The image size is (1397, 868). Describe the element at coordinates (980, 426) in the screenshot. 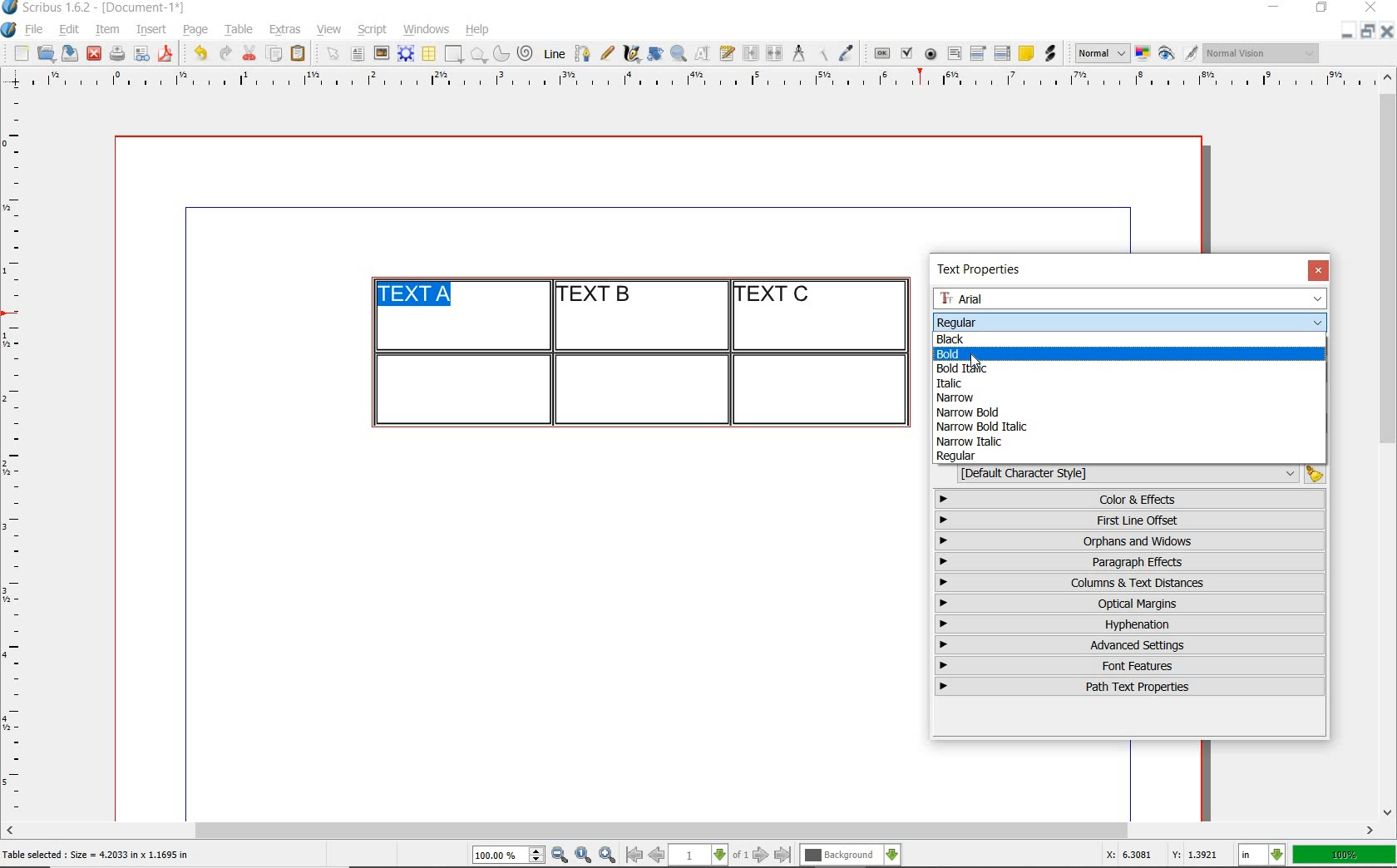

I see `narrow bold italic` at that location.